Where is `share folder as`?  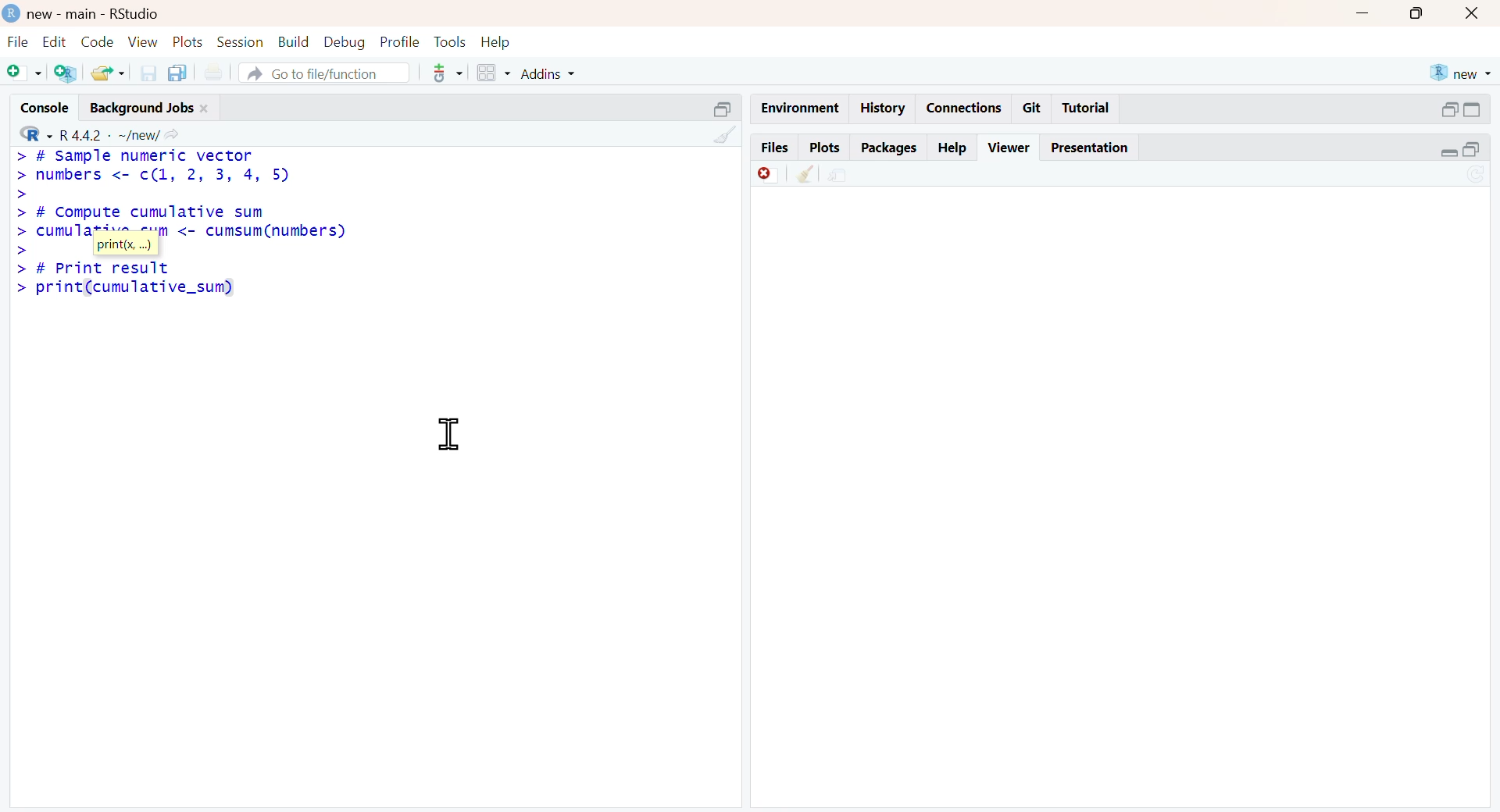 share folder as is located at coordinates (108, 73).